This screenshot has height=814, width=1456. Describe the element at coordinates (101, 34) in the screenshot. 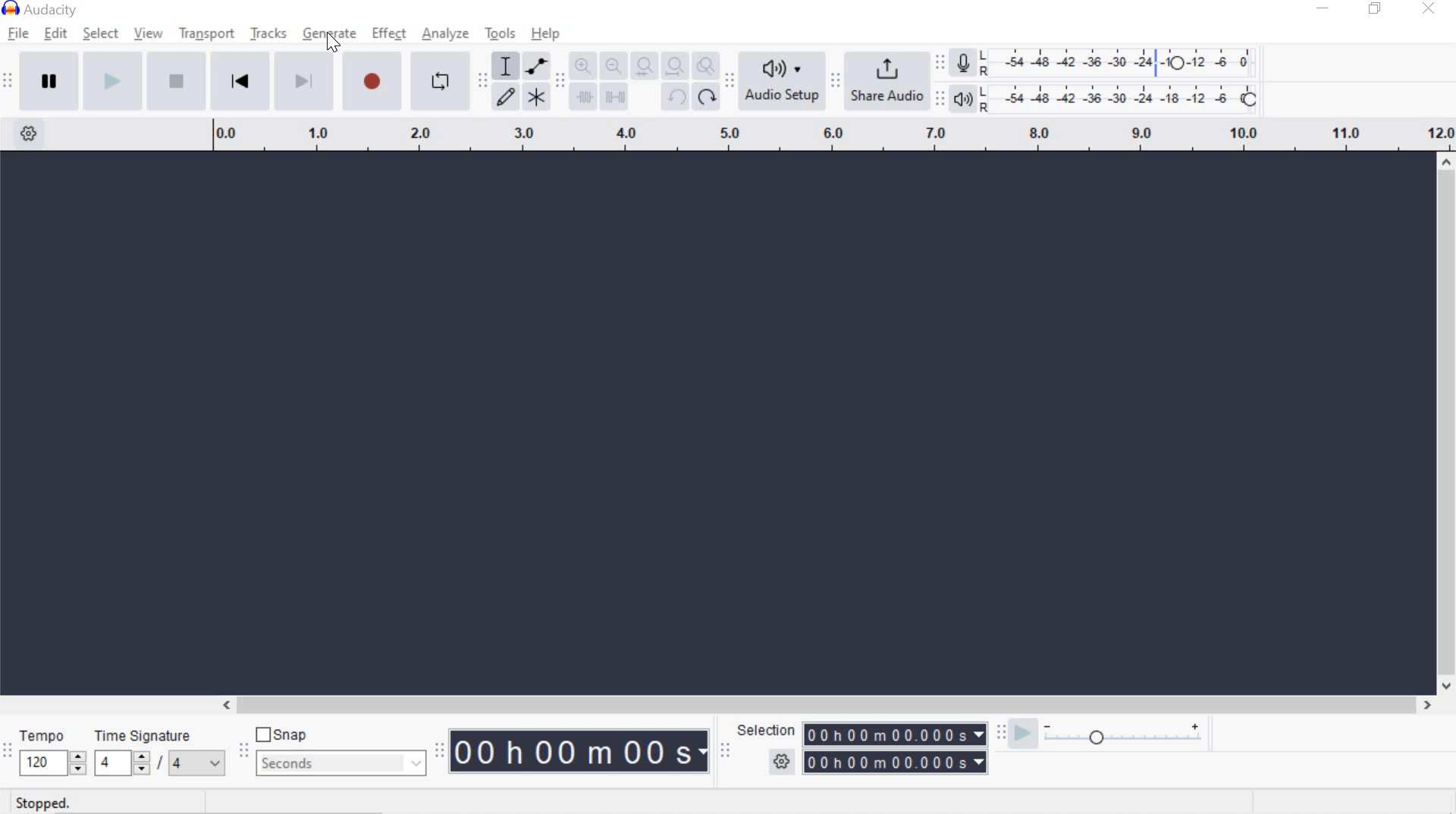

I see `select` at that location.